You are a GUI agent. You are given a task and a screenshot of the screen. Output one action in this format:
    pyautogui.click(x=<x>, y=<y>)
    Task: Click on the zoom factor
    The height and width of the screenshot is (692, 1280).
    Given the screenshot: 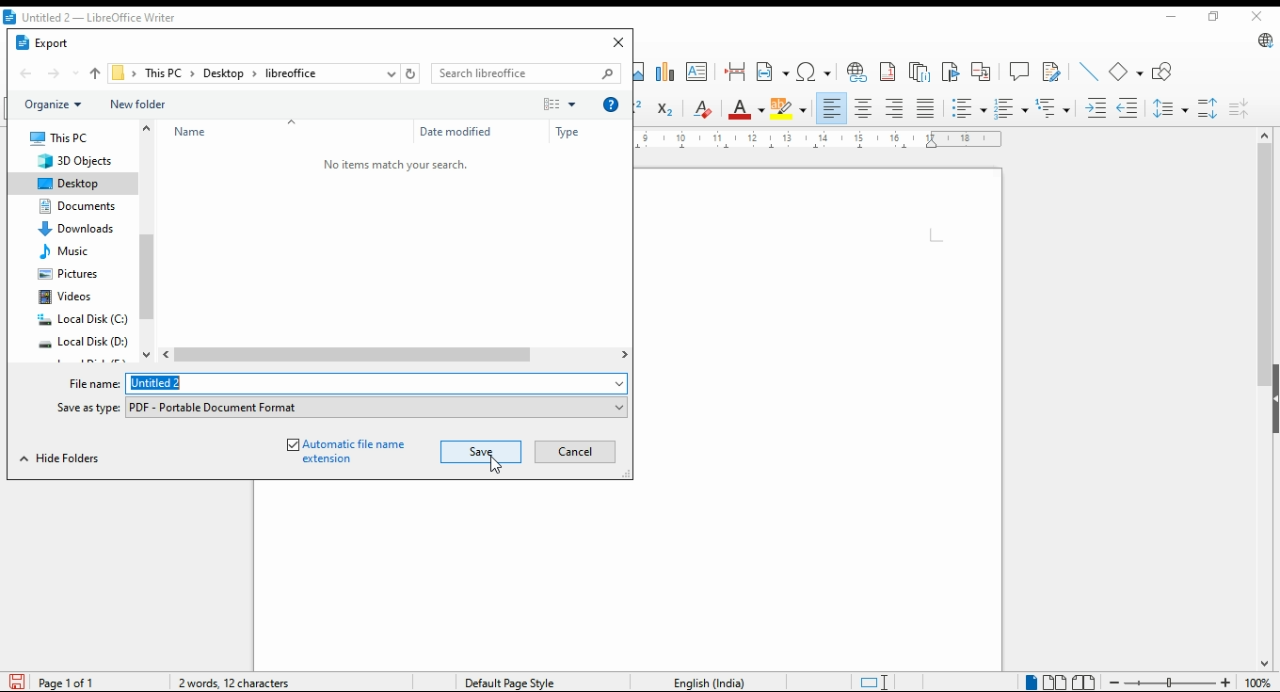 What is the action you would take?
    pyautogui.click(x=1259, y=683)
    